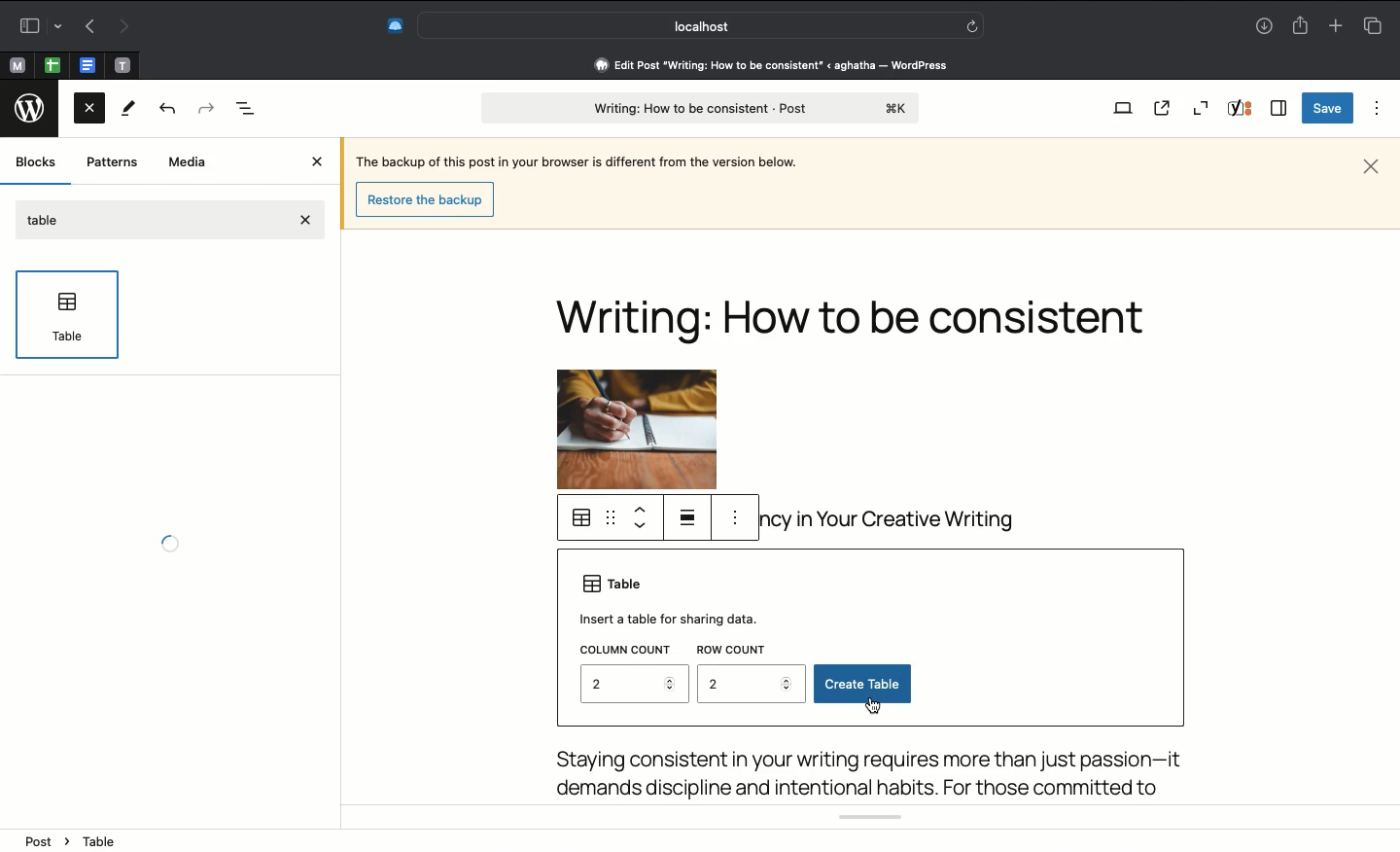 The height and width of the screenshot is (852, 1400). I want to click on Yoast, so click(1242, 109).